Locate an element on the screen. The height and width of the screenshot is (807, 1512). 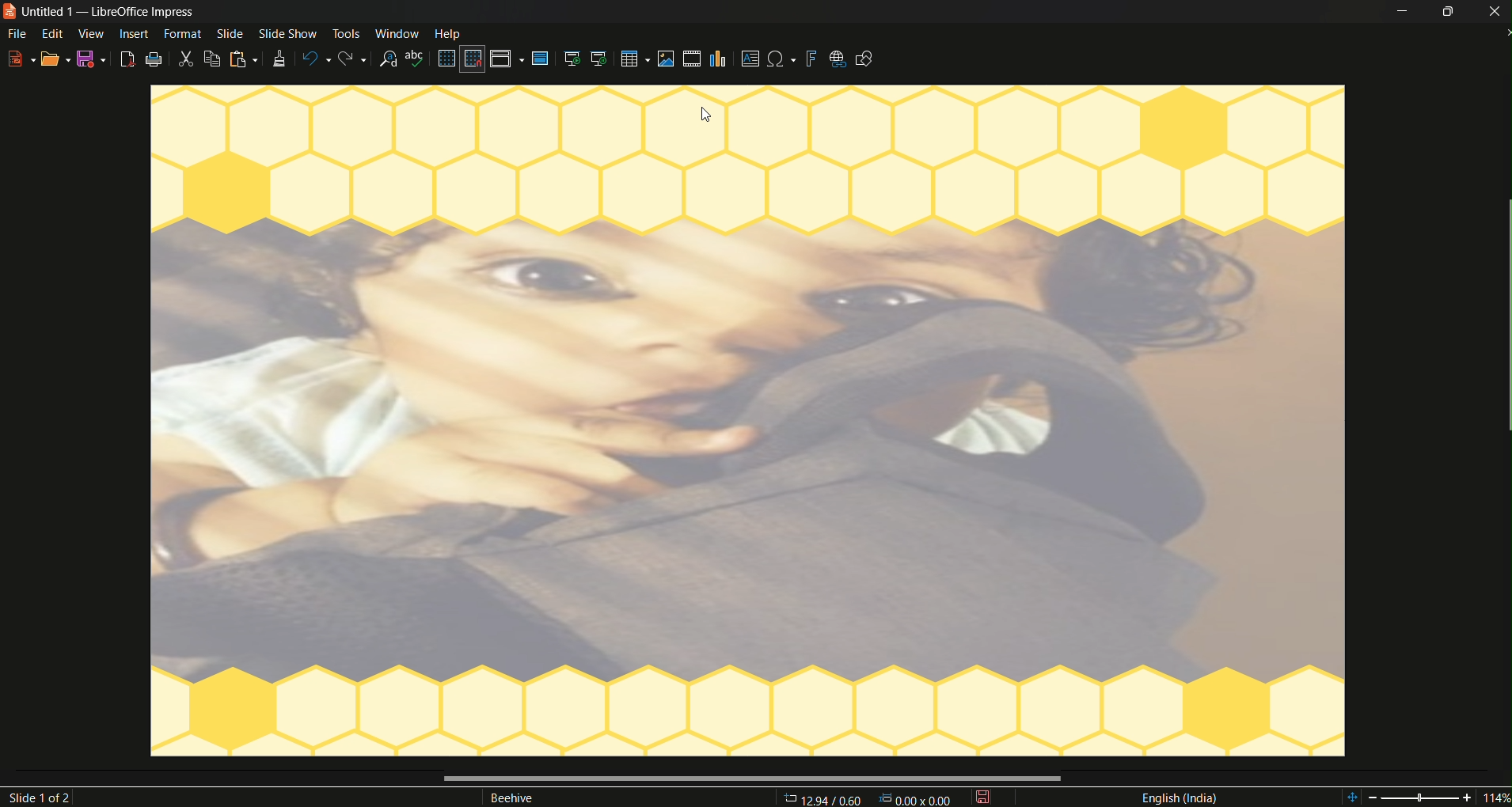
insert special character is located at coordinates (783, 59).